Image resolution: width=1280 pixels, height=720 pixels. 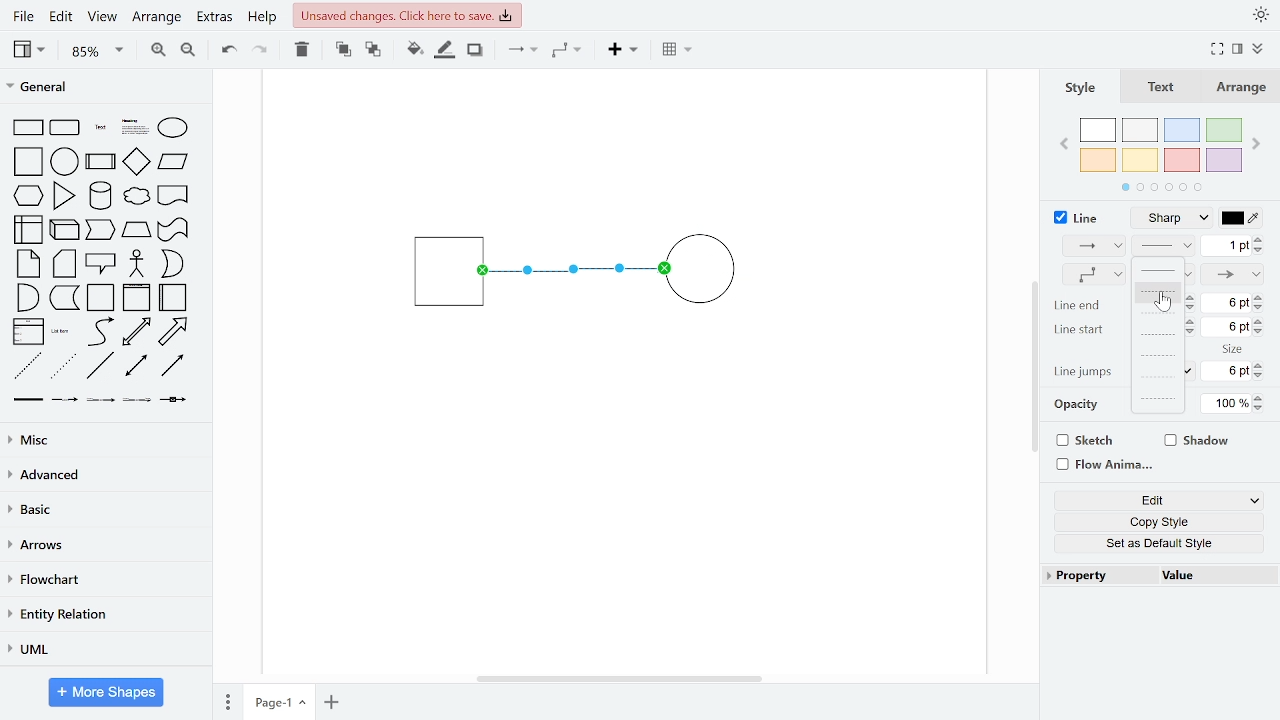 What do you see at coordinates (214, 17) in the screenshot?
I see `extras` at bounding box center [214, 17].